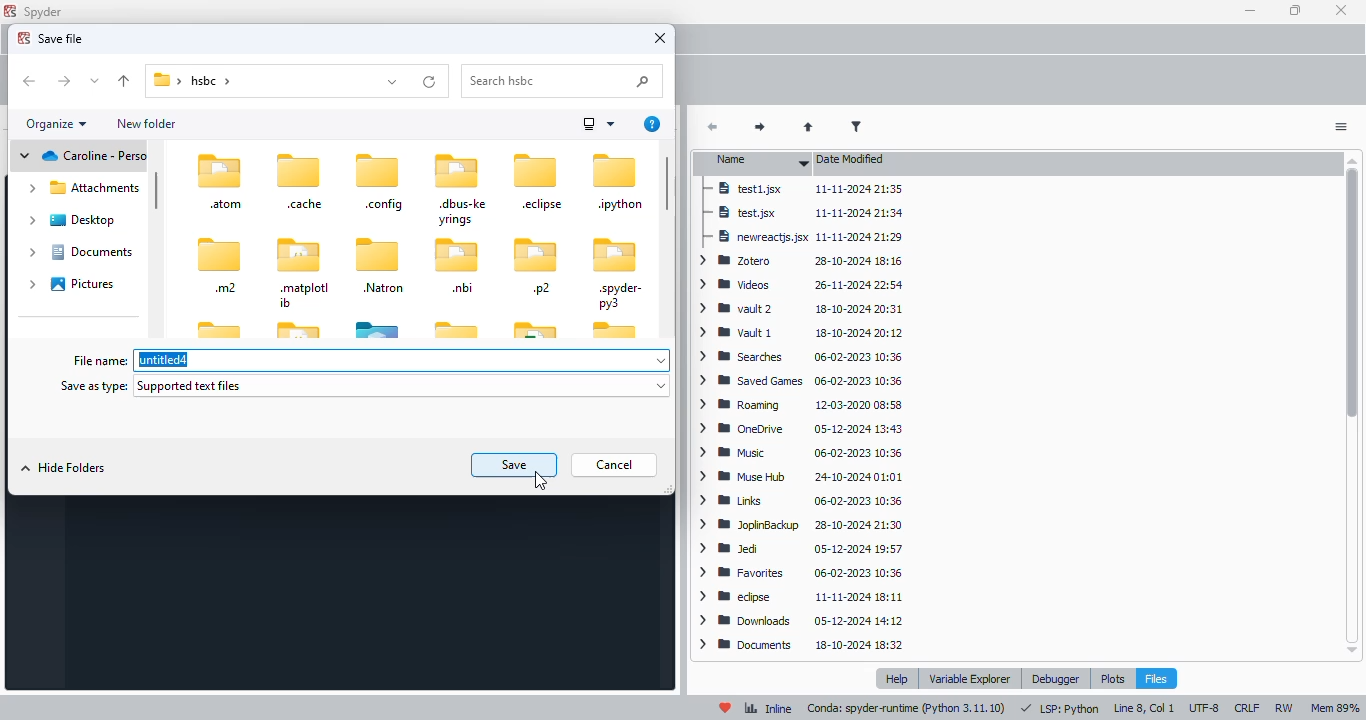 This screenshot has height=720, width=1366. I want to click on variable explorer, so click(970, 679).